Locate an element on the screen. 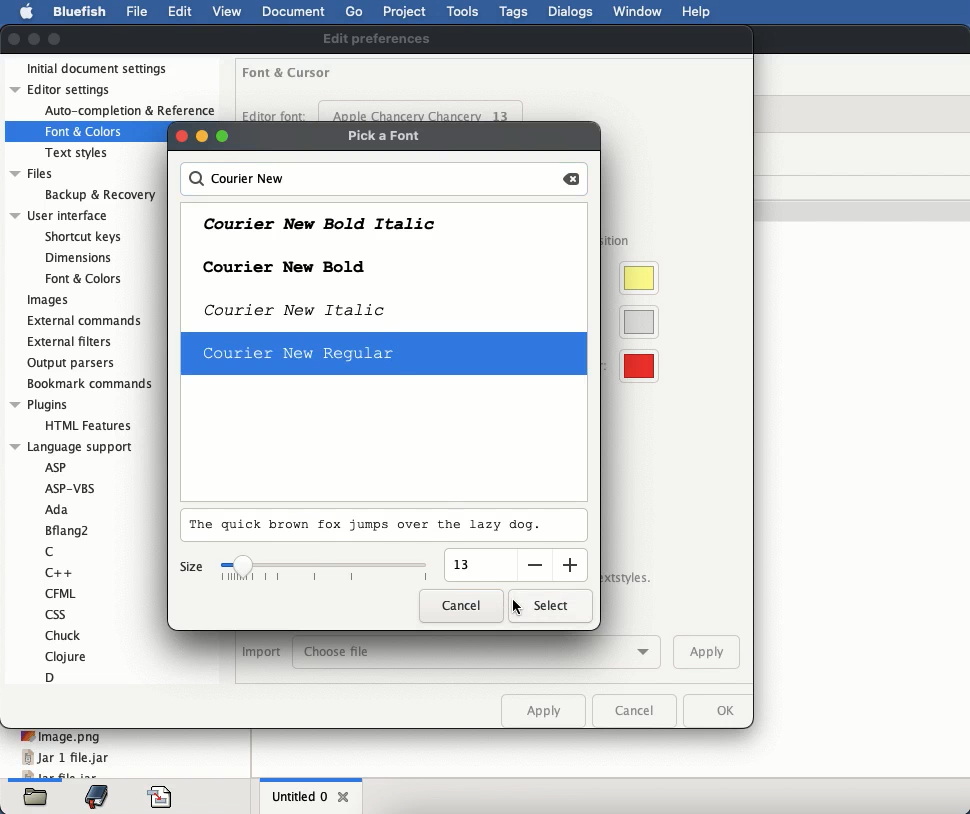  cursor highlight color is located at coordinates (633, 279).